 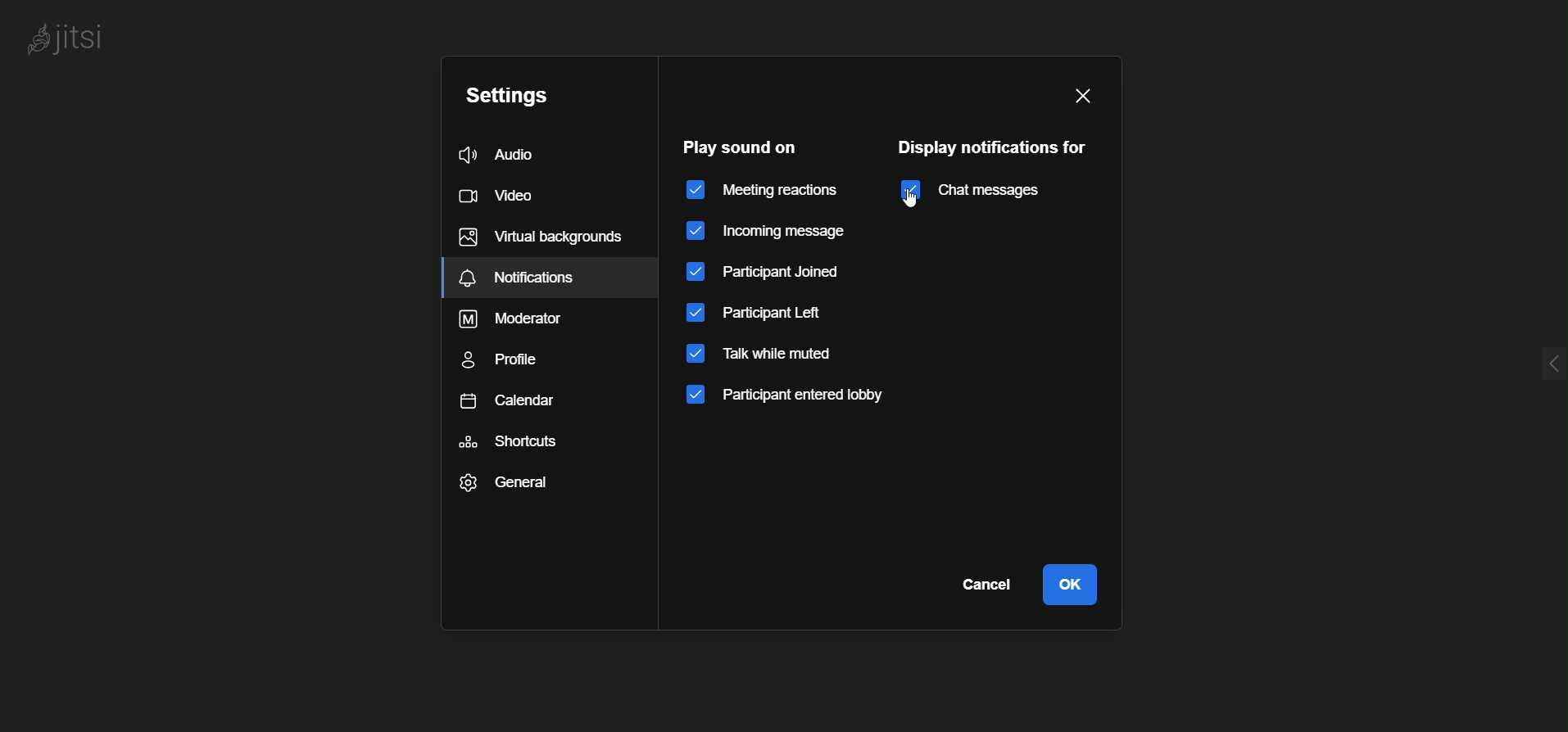 I want to click on cancel, so click(x=977, y=590).